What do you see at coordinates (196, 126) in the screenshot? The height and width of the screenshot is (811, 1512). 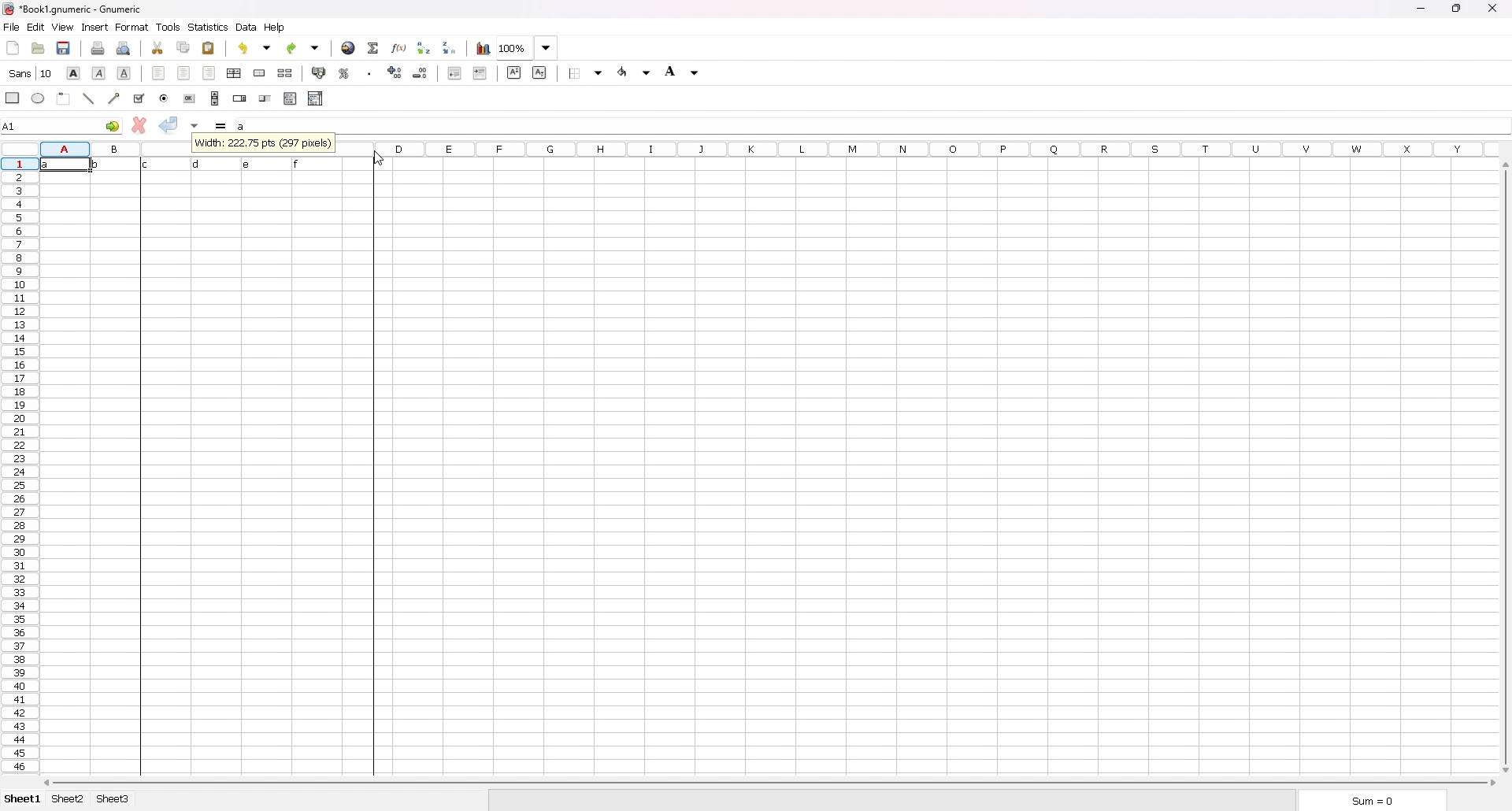 I see `accept changes in all cells` at bounding box center [196, 126].